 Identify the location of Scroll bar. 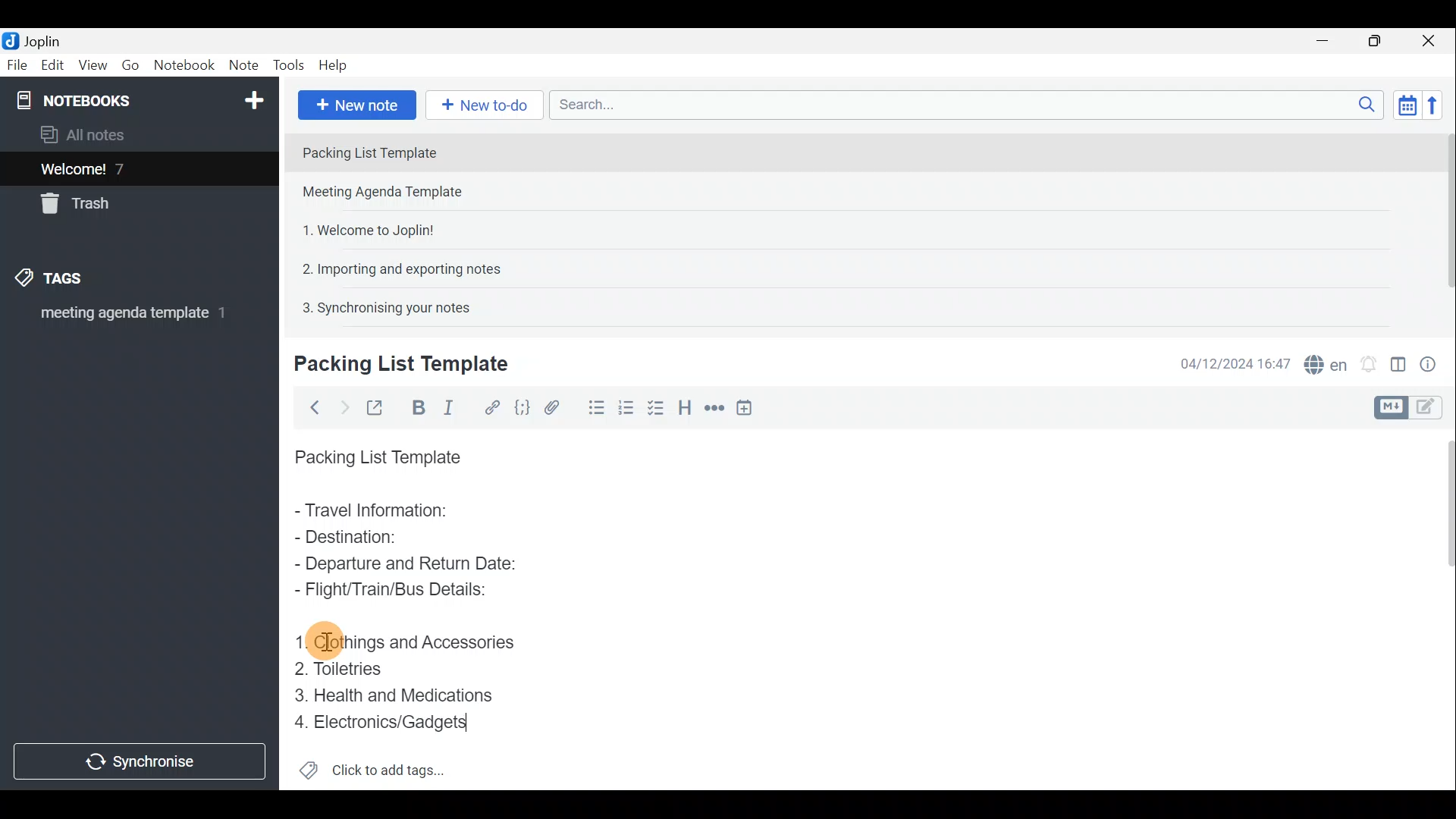
(1442, 607).